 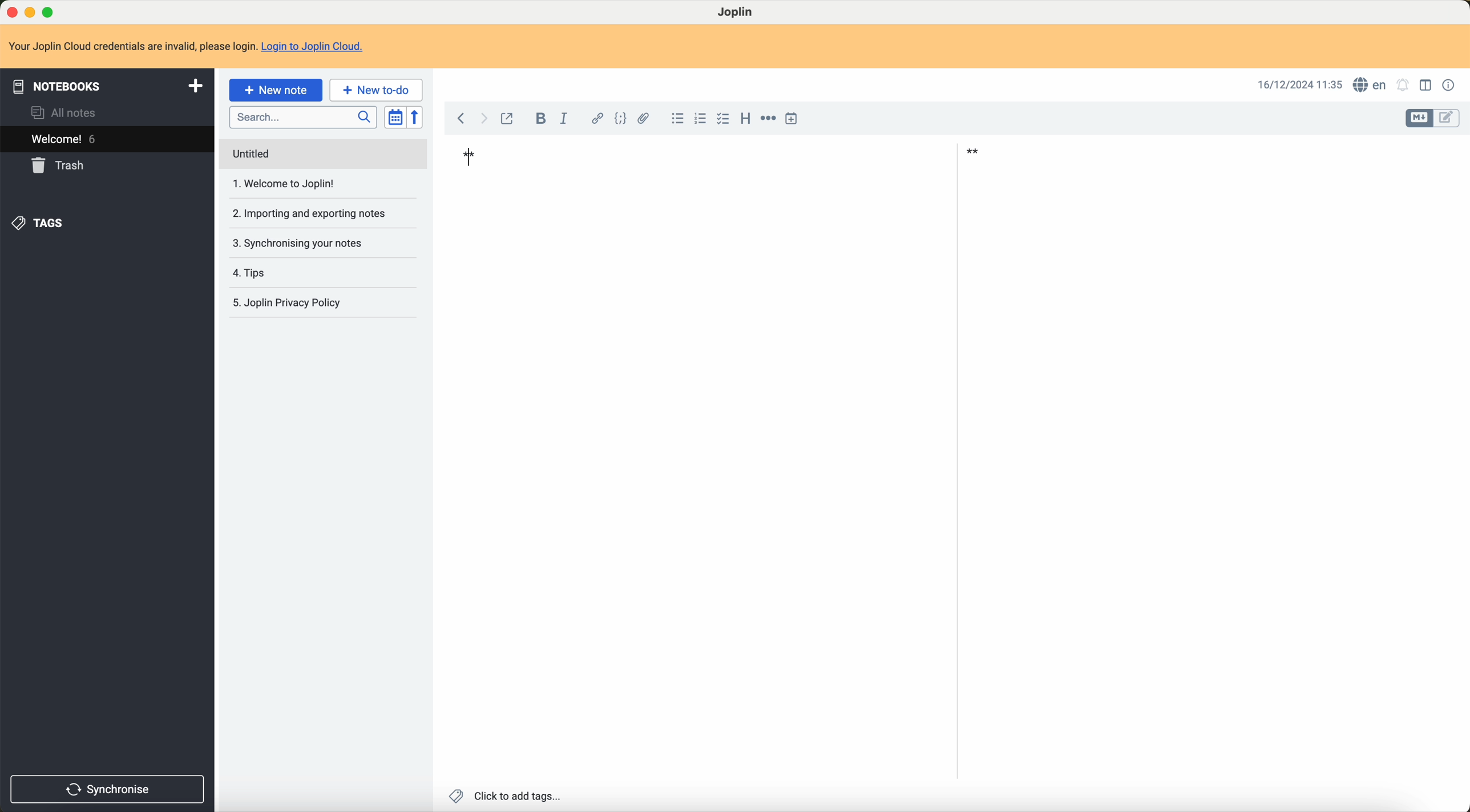 What do you see at coordinates (60, 166) in the screenshot?
I see `trash` at bounding box center [60, 166].